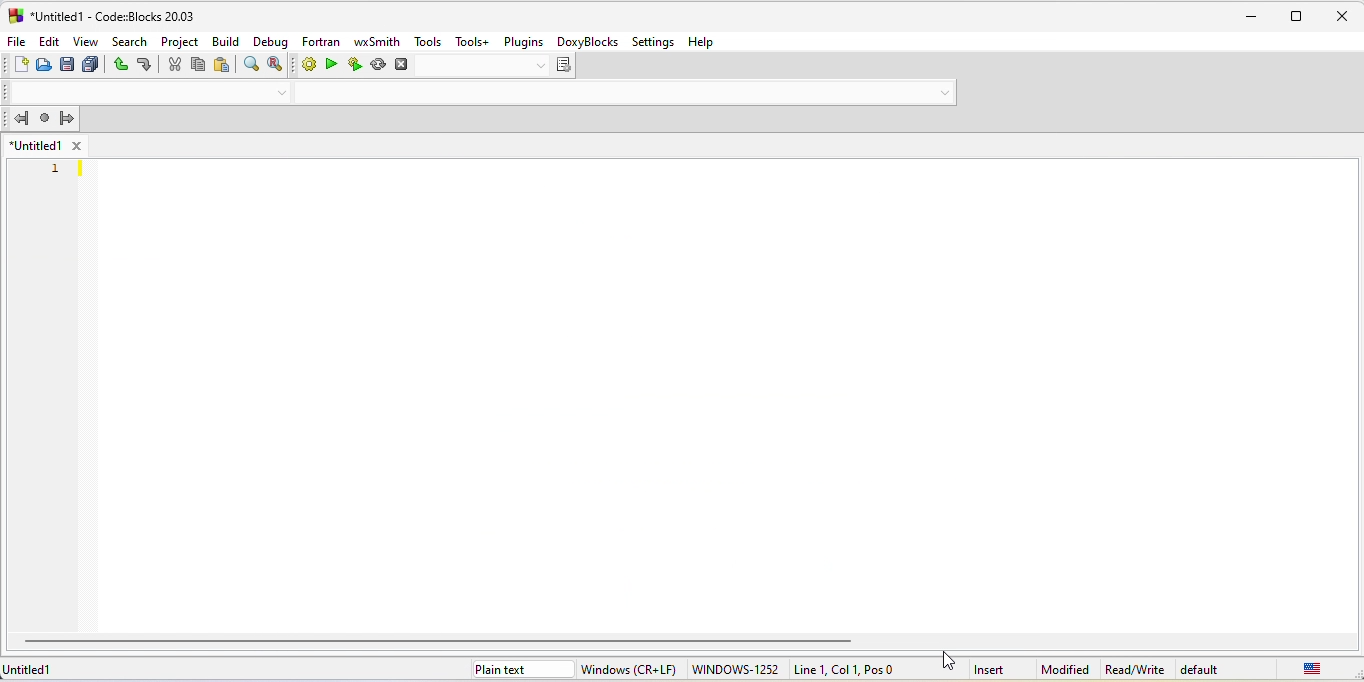 The height and width of the screenshot is (682, 1364). What do you see at coordinates (179, 42) in the screenshot?
I see `project` at bounding box center [179, 42].